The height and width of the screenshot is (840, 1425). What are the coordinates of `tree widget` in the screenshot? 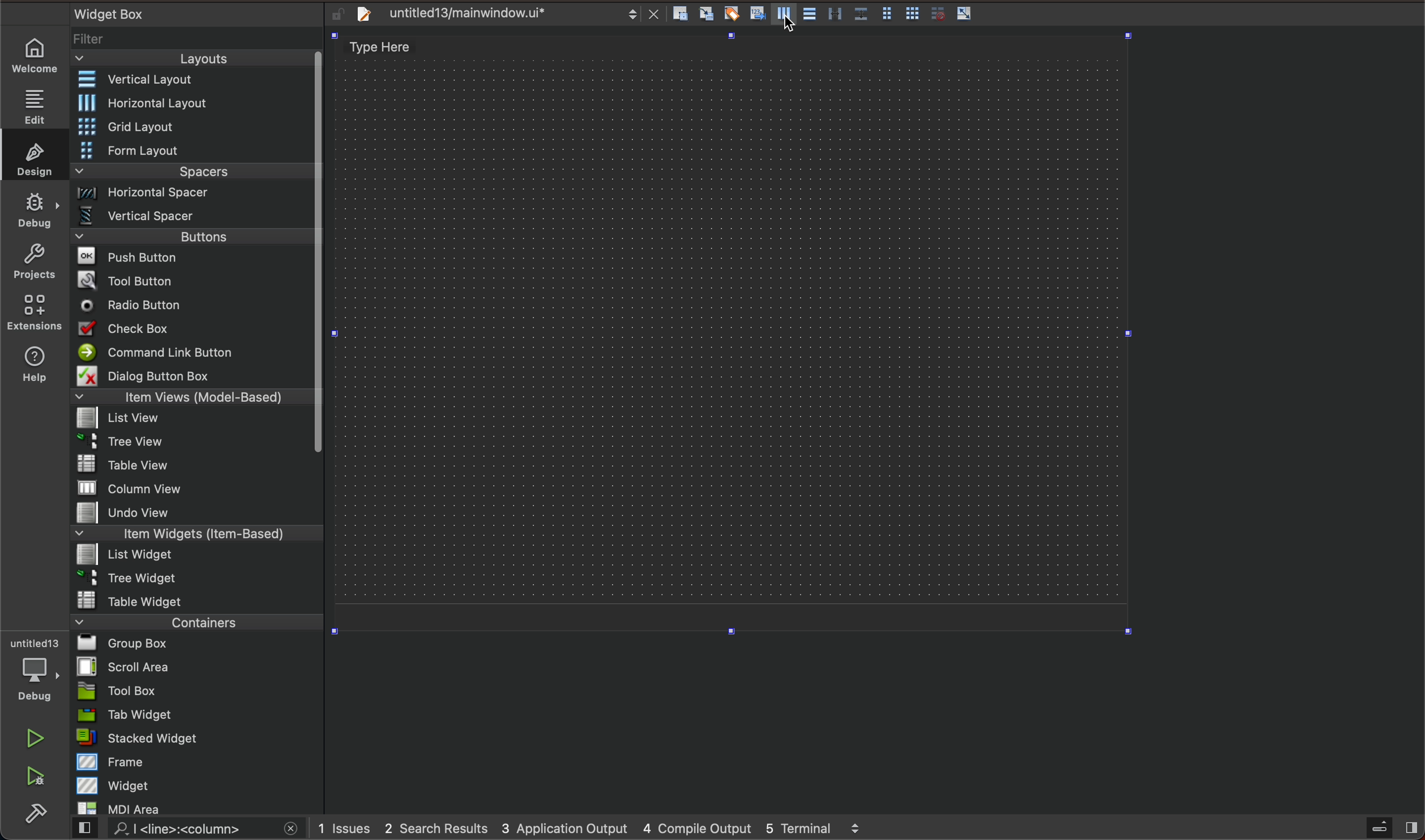 It's located at (193, 578).